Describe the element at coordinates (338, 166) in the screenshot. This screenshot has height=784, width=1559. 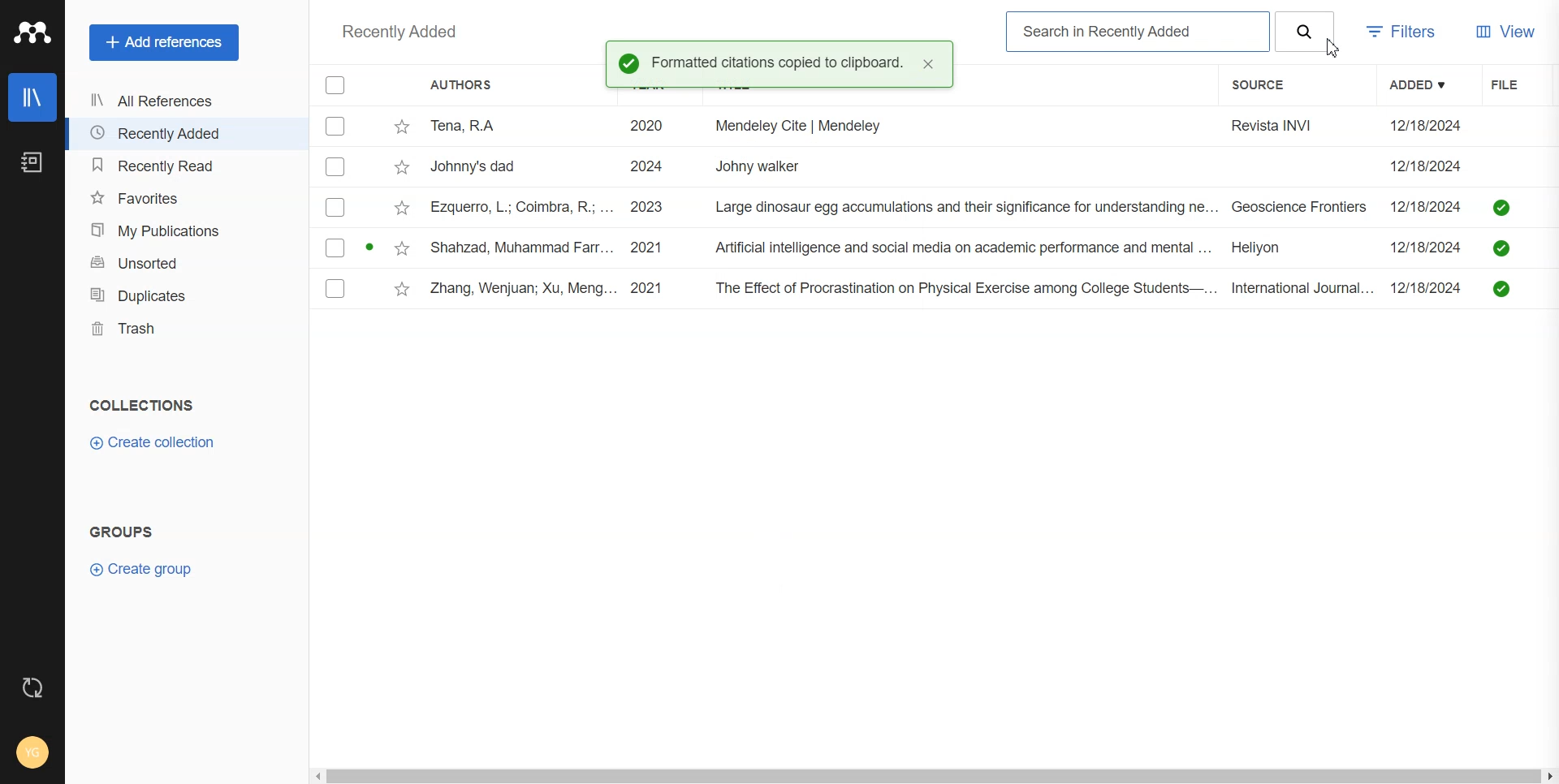
I see `Checkbox` at that location.